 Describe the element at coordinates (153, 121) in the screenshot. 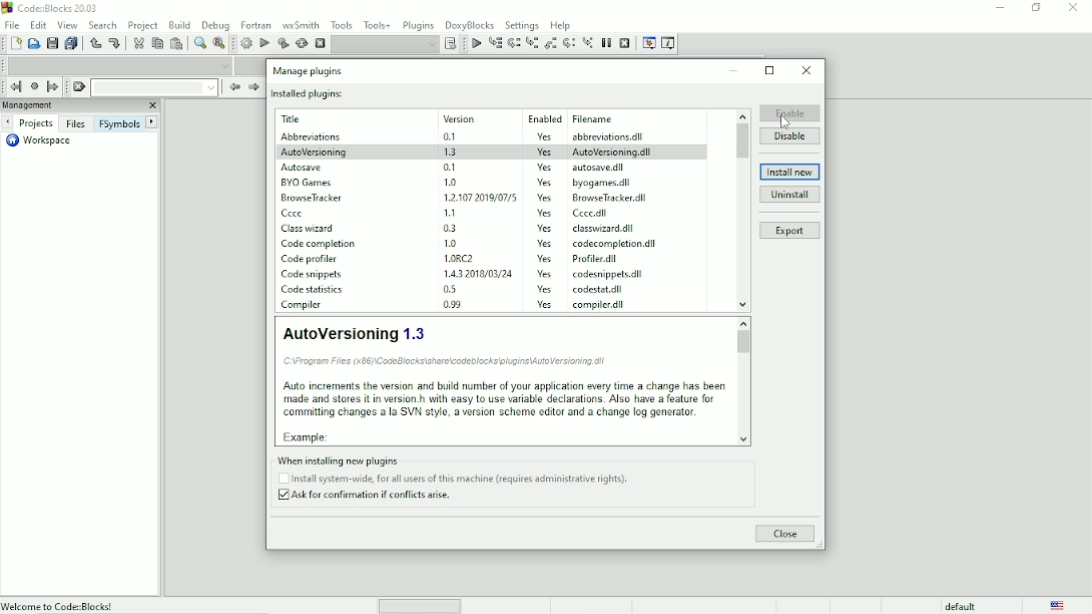

I see `Next` at that location.